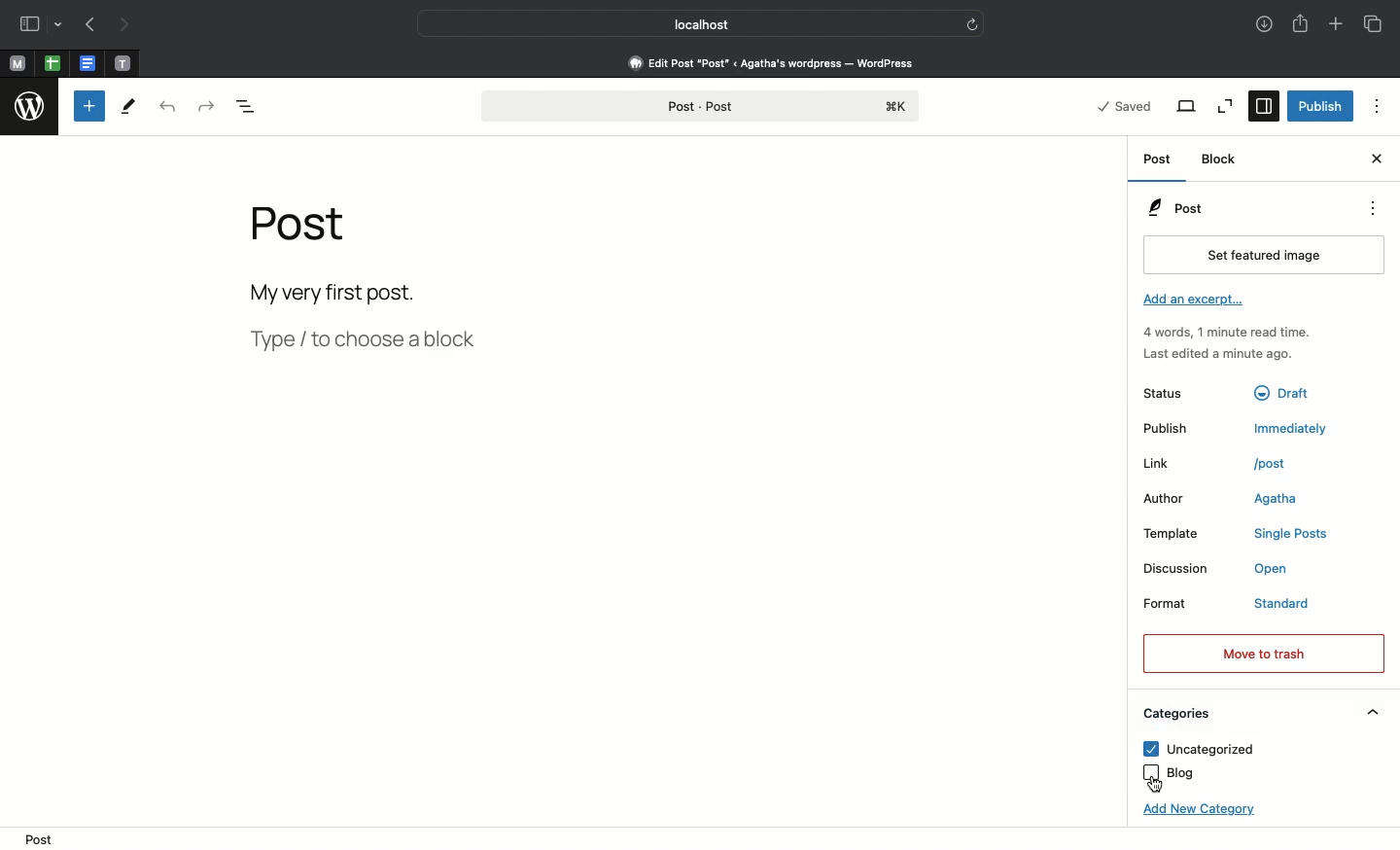 This screenshot has width=1400, height=850. What do you see at coordinates (1126, 104) in the screenshot?
I see `Saved` at bounding box center [1126, 104].